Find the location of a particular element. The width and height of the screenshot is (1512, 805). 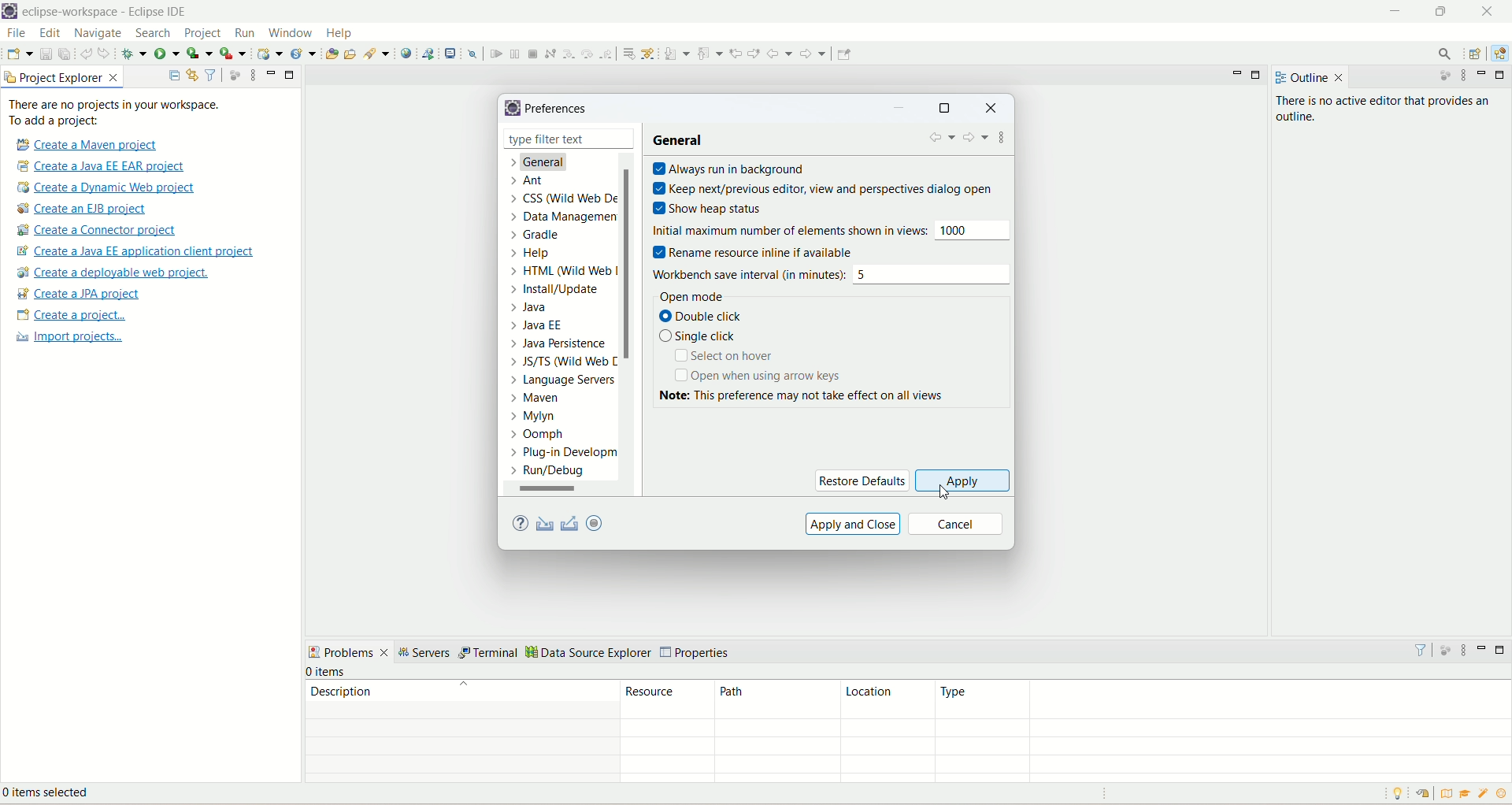

cursor is located at coordinates (951, 495).